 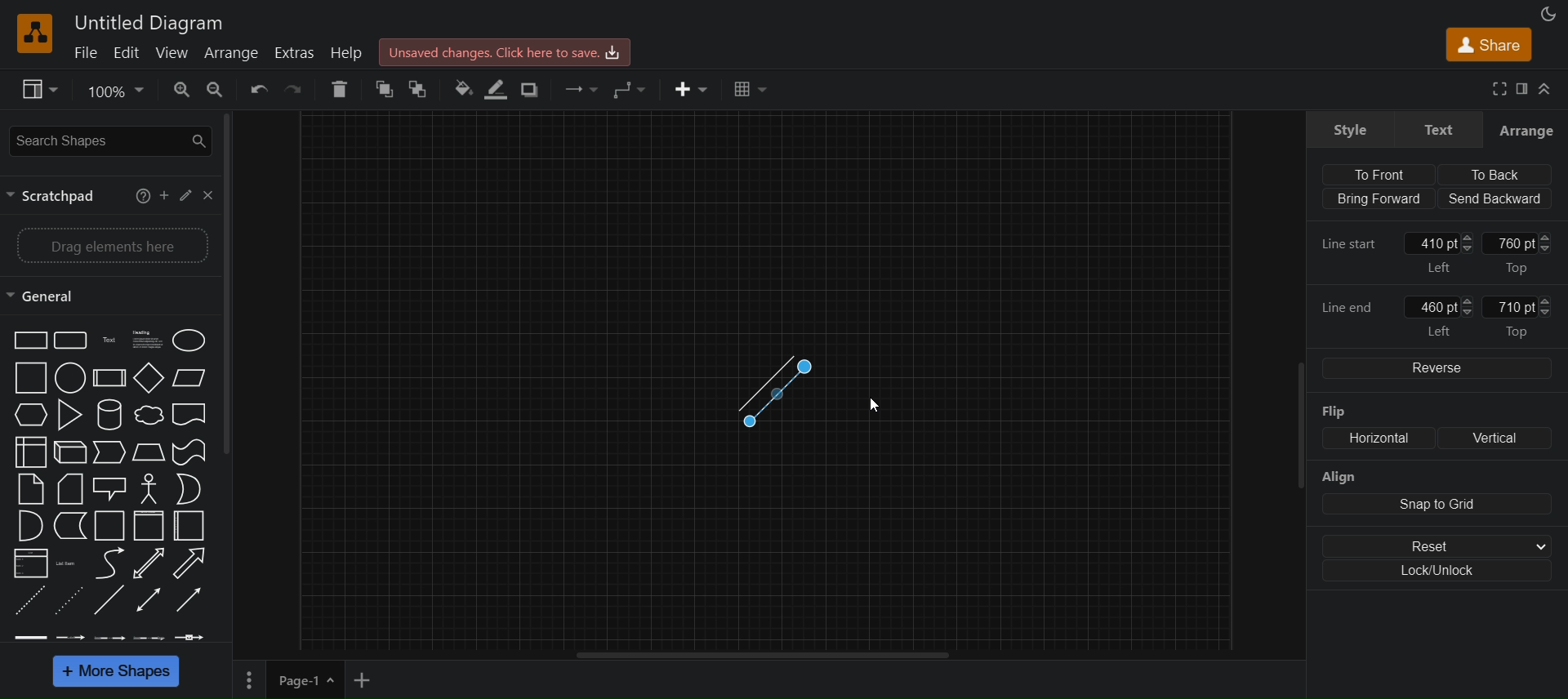 What do you see at coordinates (29, 452) in the screenshot?
I see `Internal storage` at bounding box center [29, 452].